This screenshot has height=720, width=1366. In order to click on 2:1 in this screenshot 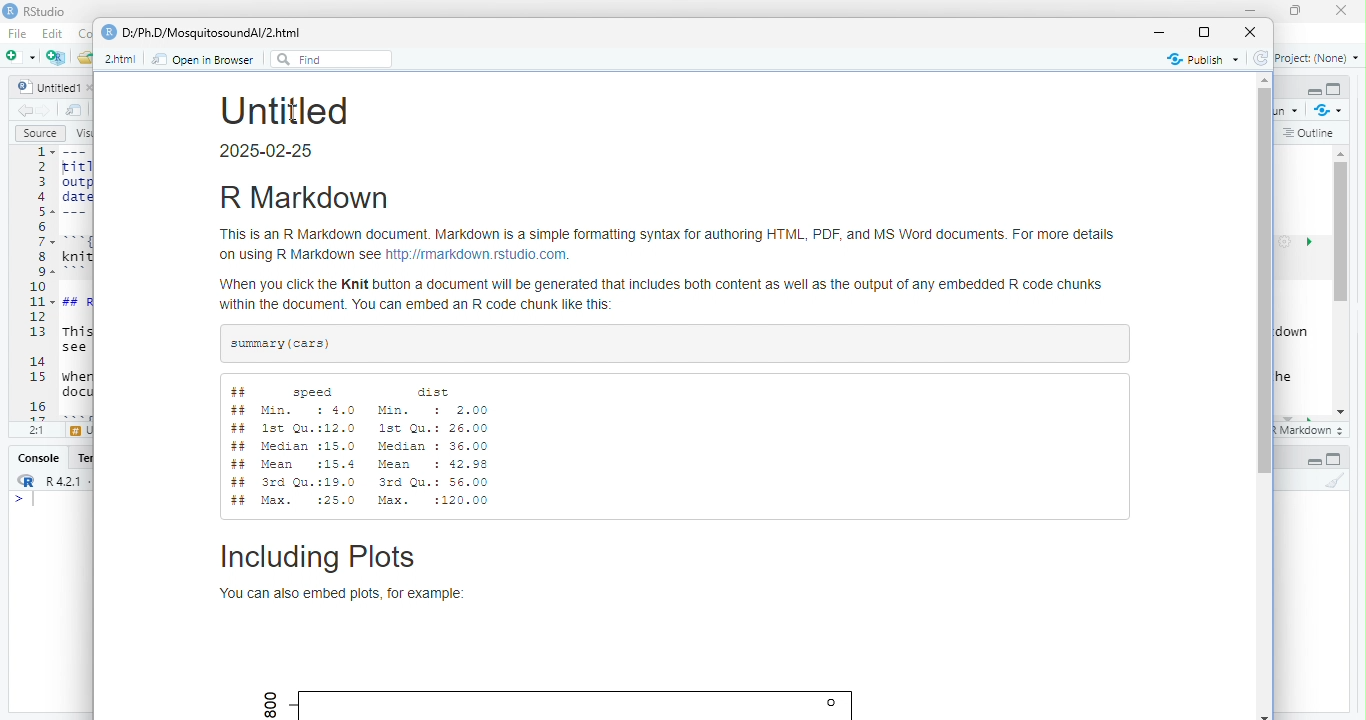, I will do `click(38, 429)`.